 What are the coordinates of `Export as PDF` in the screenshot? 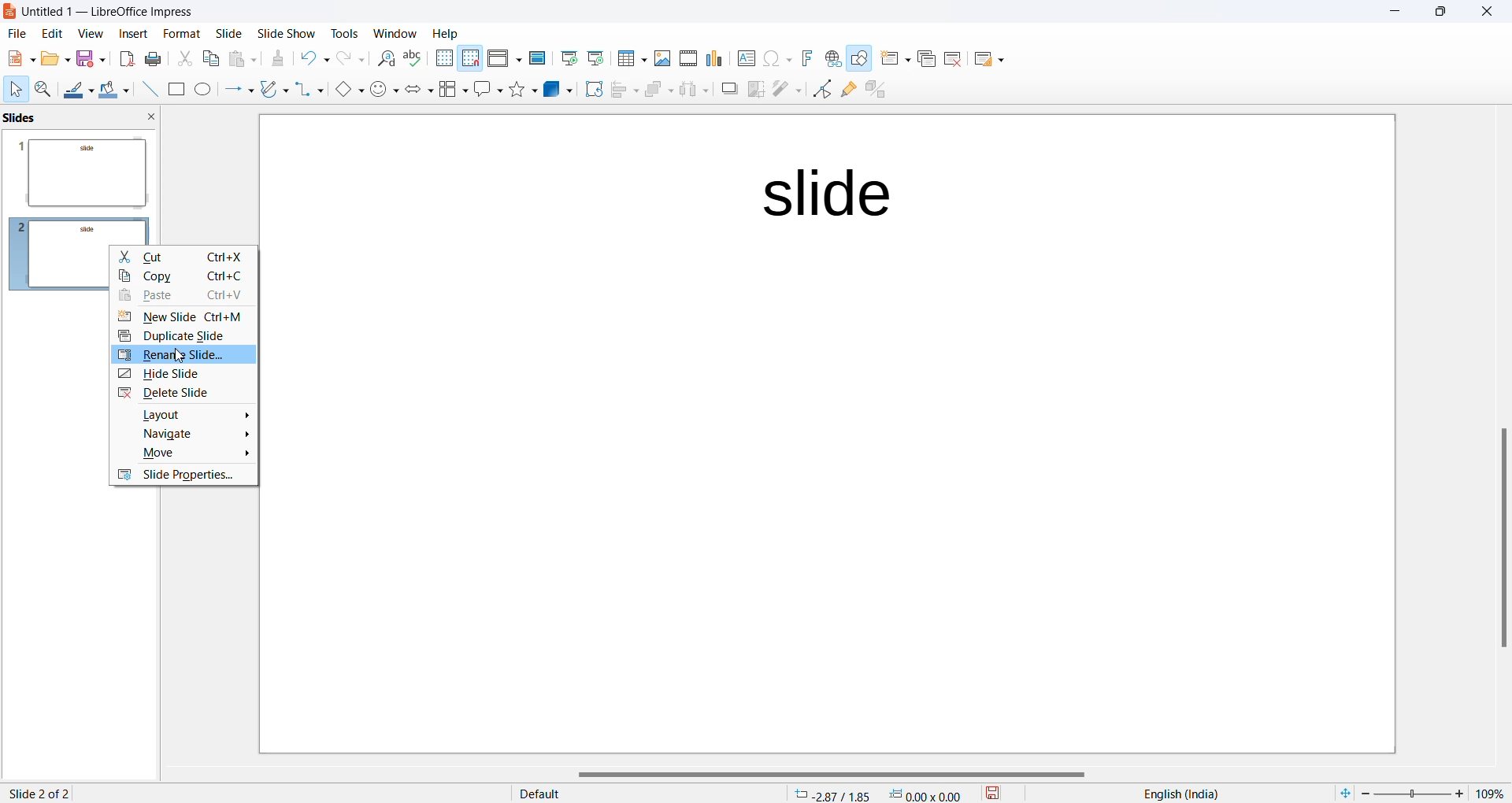 It's located at (124, 59).